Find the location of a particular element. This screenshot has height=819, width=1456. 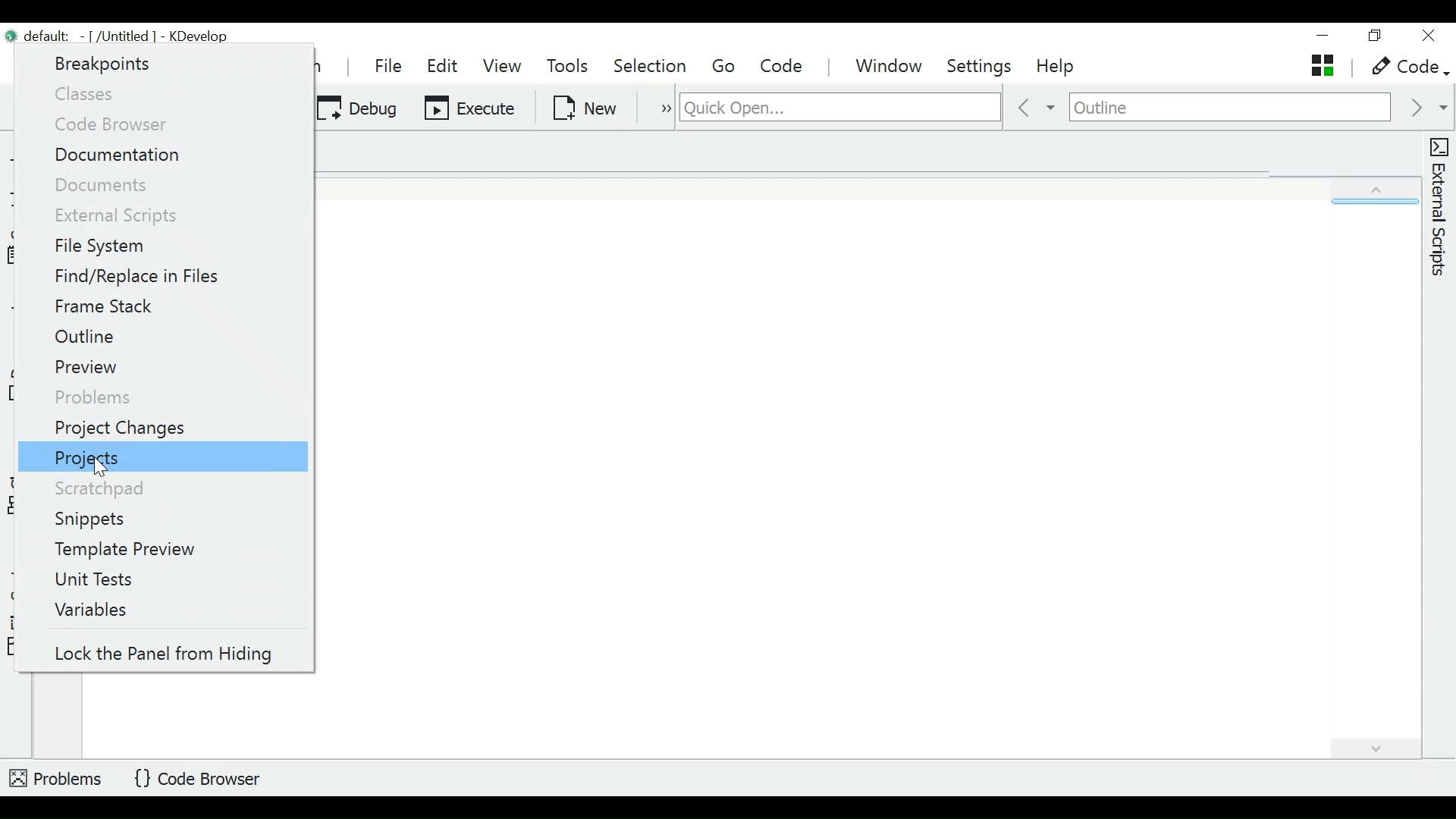

Execute is located at coordinates (471, 108).